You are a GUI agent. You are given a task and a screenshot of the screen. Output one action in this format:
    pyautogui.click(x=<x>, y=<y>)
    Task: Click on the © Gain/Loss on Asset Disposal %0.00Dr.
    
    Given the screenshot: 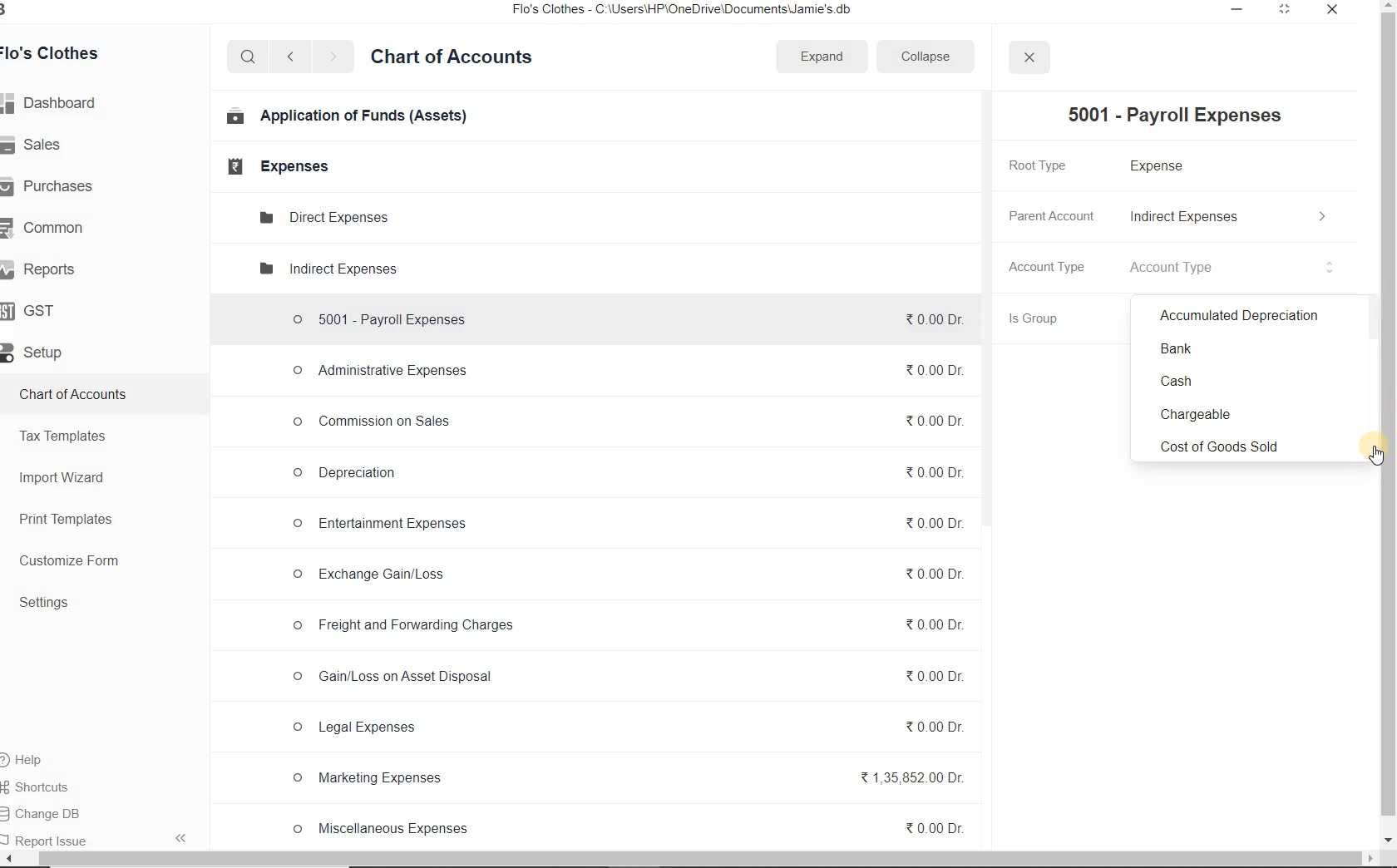 What is the action you would take?
    pyautogui.click(x=625, y=678)
    